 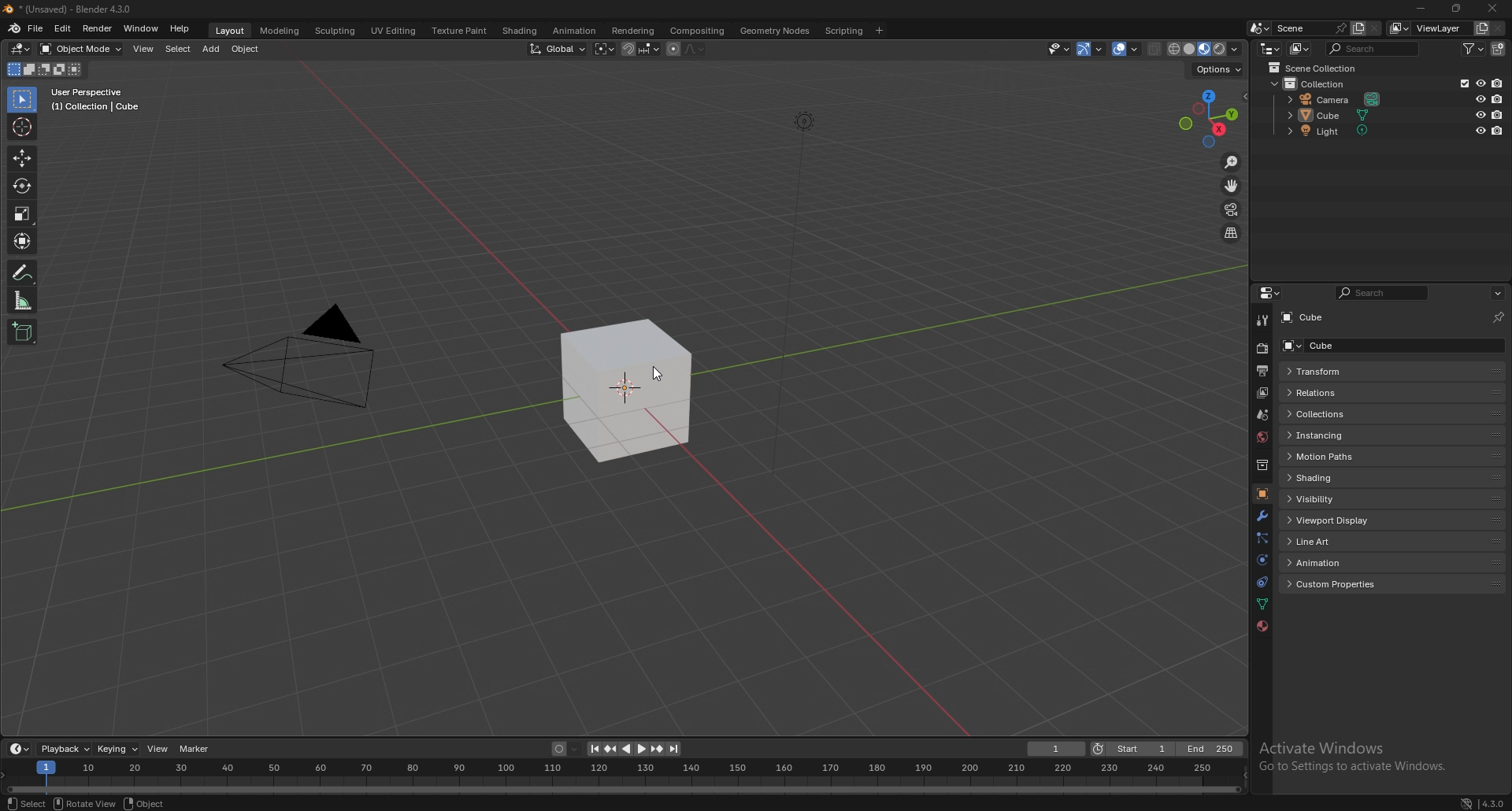 I want to click on viewport shading, so click(x=1205, y=48).